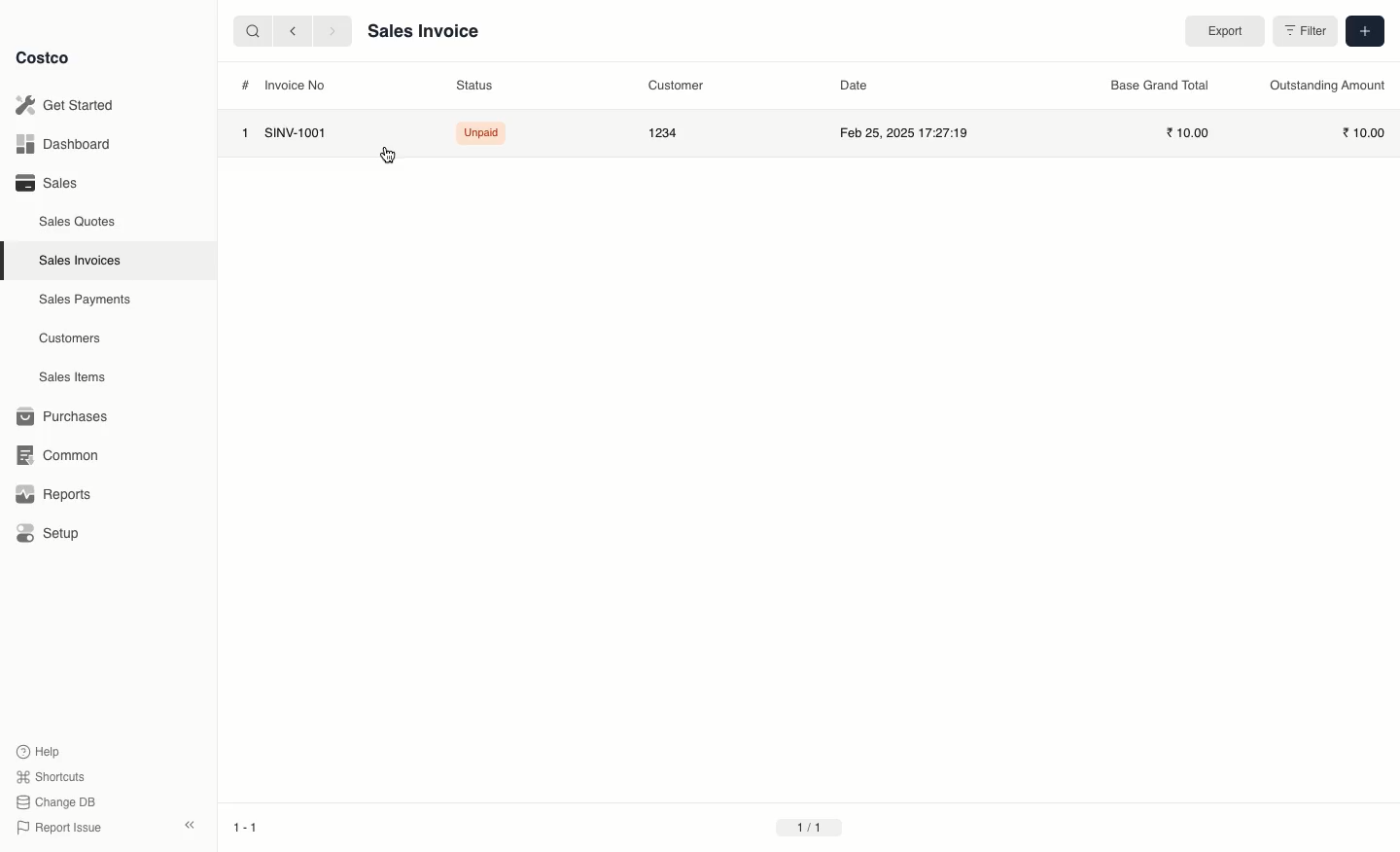 This screenshot has height=852, width=1400. I want to click on Common, so click(60, 456).